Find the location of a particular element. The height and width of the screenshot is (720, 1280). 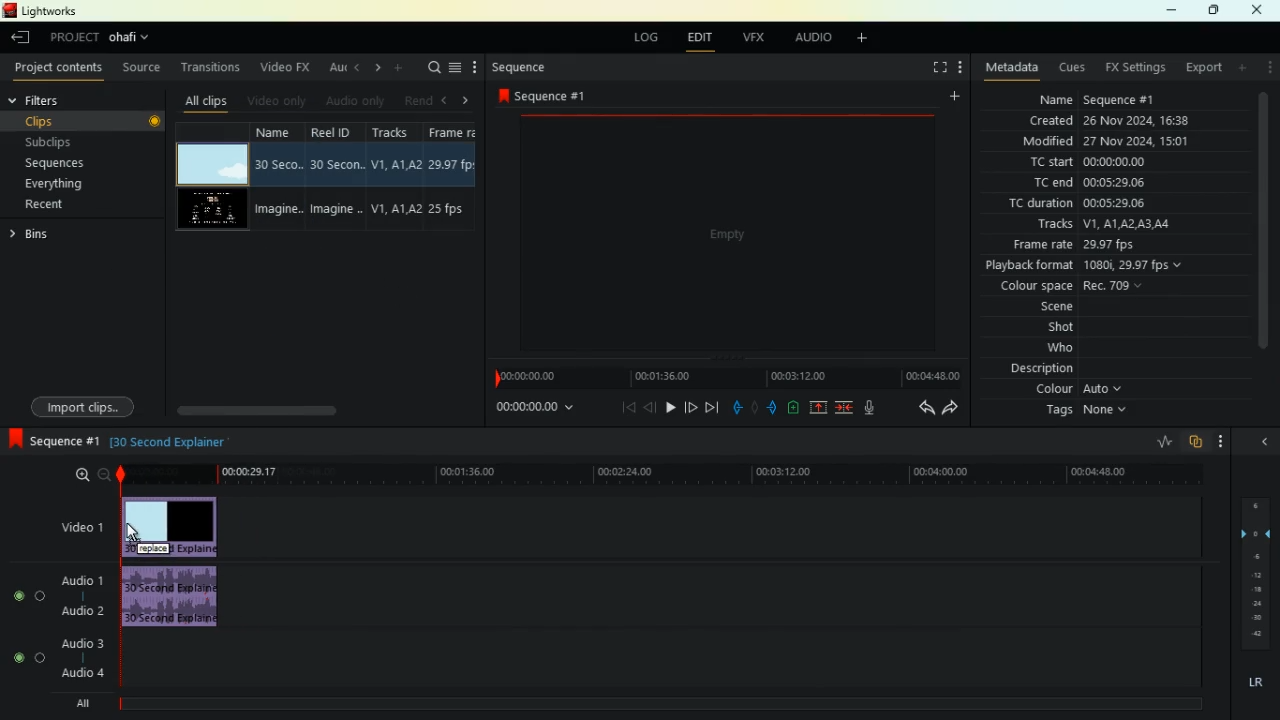

sequence is located at coordinates (548, 97).